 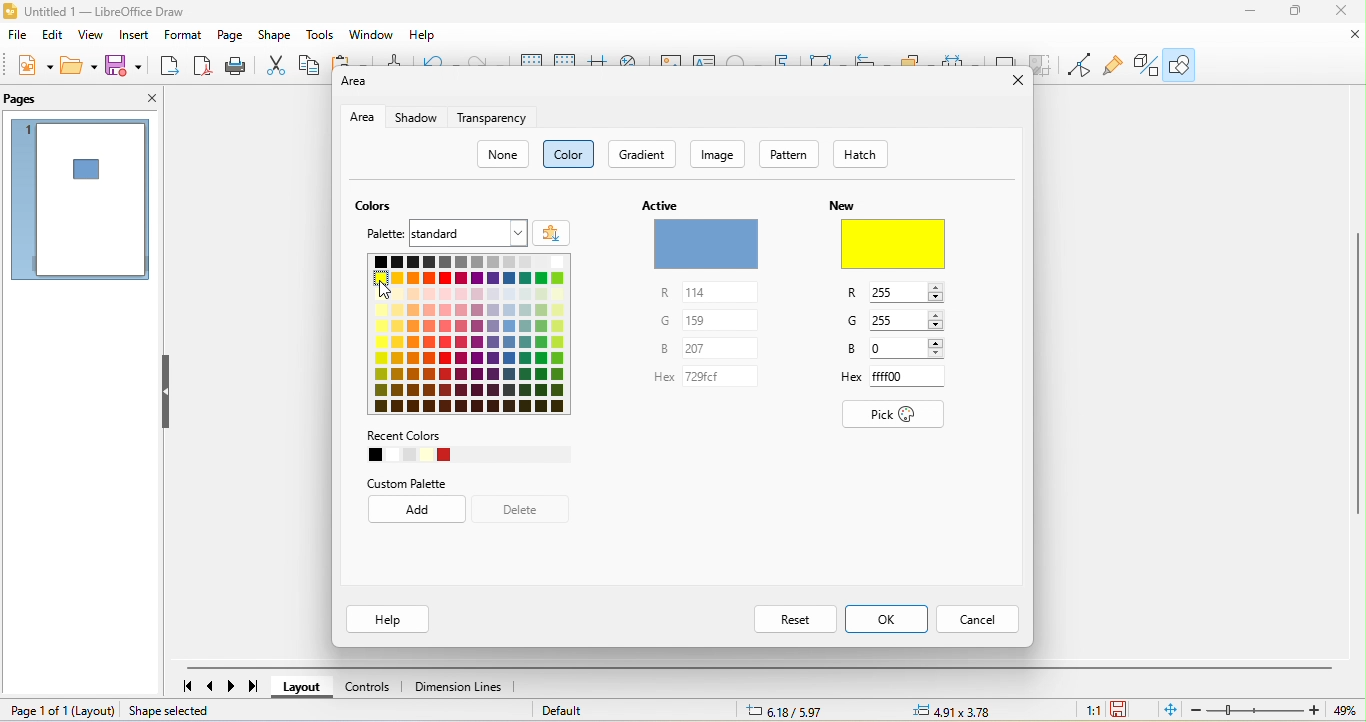 What do you see at coordinates (494, 117) in the screenshot?
I see `transparency` at bounding box center [494, 117].